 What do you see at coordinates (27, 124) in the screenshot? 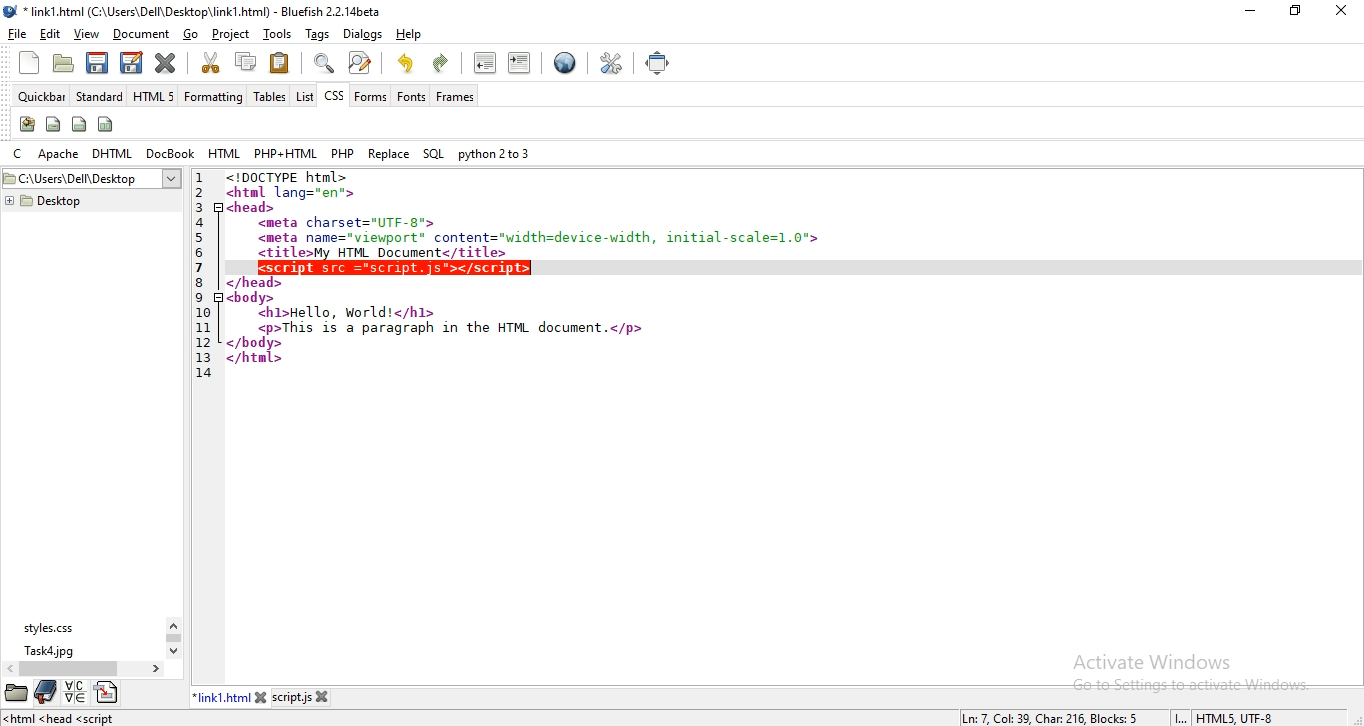
I see `create stylesheet` at bounding box center [27, 124].